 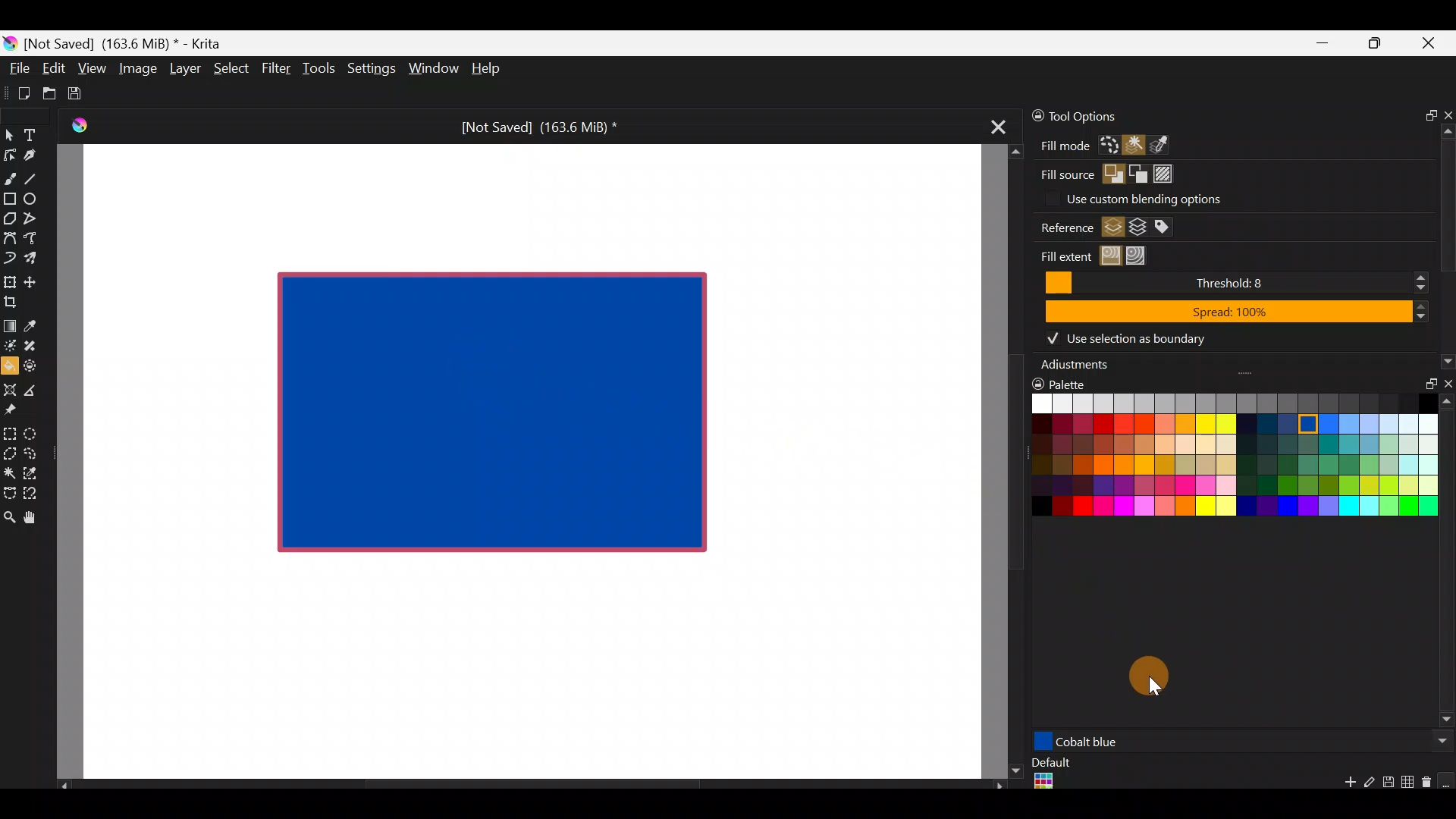 What do you see at coordinates (35, 516) in the screenshot?
I see `Pan tool` at bounding box center [35, 516].